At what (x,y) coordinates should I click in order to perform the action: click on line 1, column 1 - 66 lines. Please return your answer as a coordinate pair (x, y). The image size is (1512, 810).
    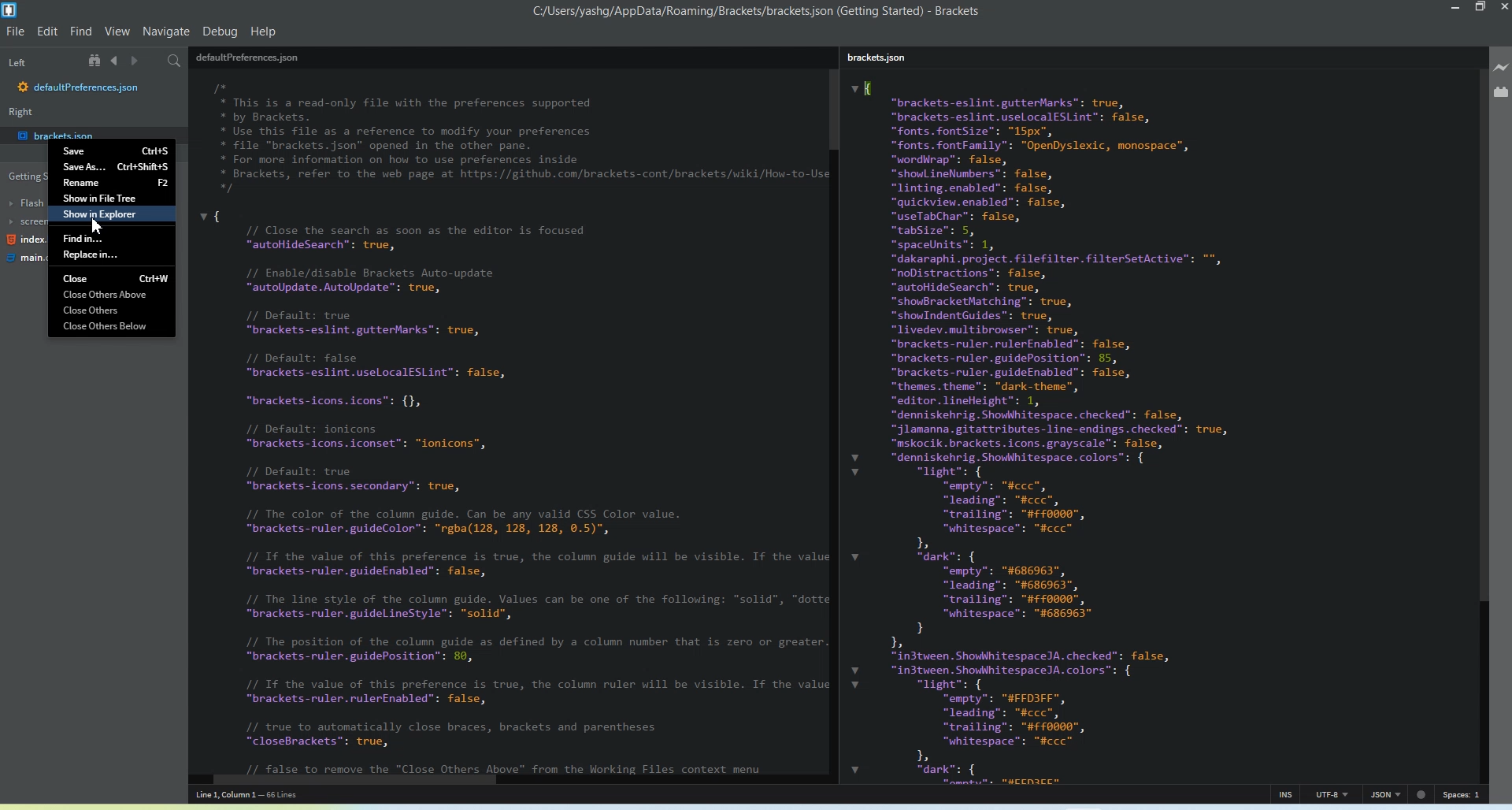
    Looking at the image, I should click on (265, 796).